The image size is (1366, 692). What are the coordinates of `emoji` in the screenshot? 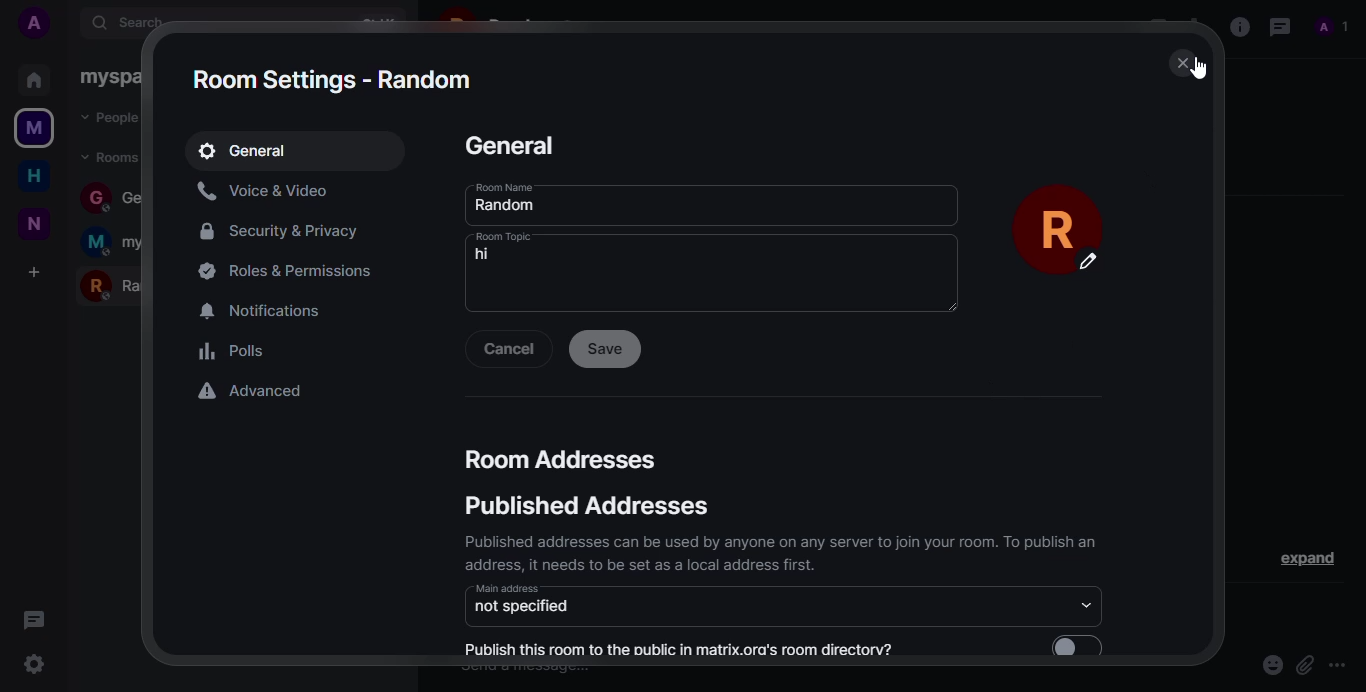 It's located at (1264, 660).